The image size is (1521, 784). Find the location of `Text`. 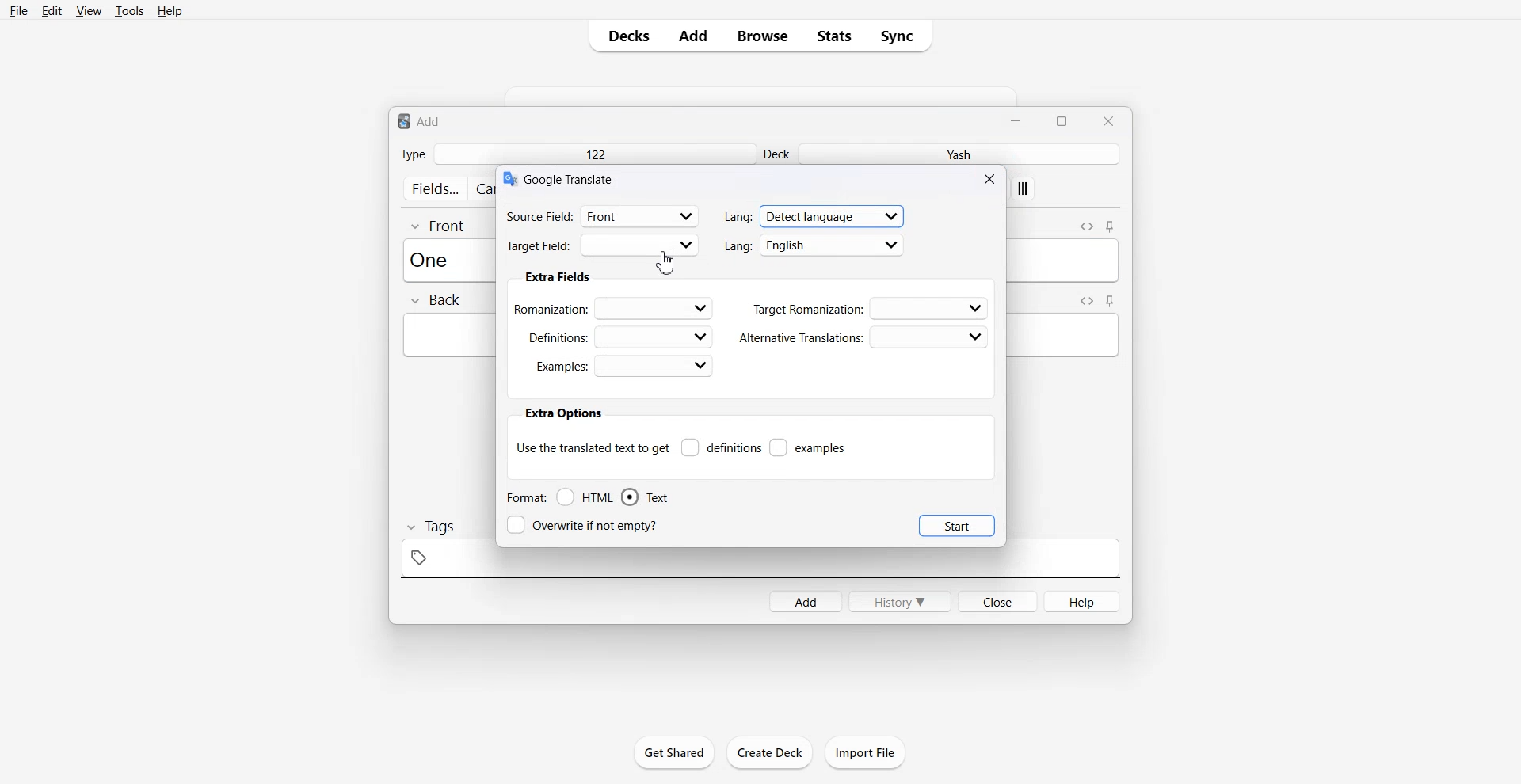

Text is located at coordinates (434, 259).